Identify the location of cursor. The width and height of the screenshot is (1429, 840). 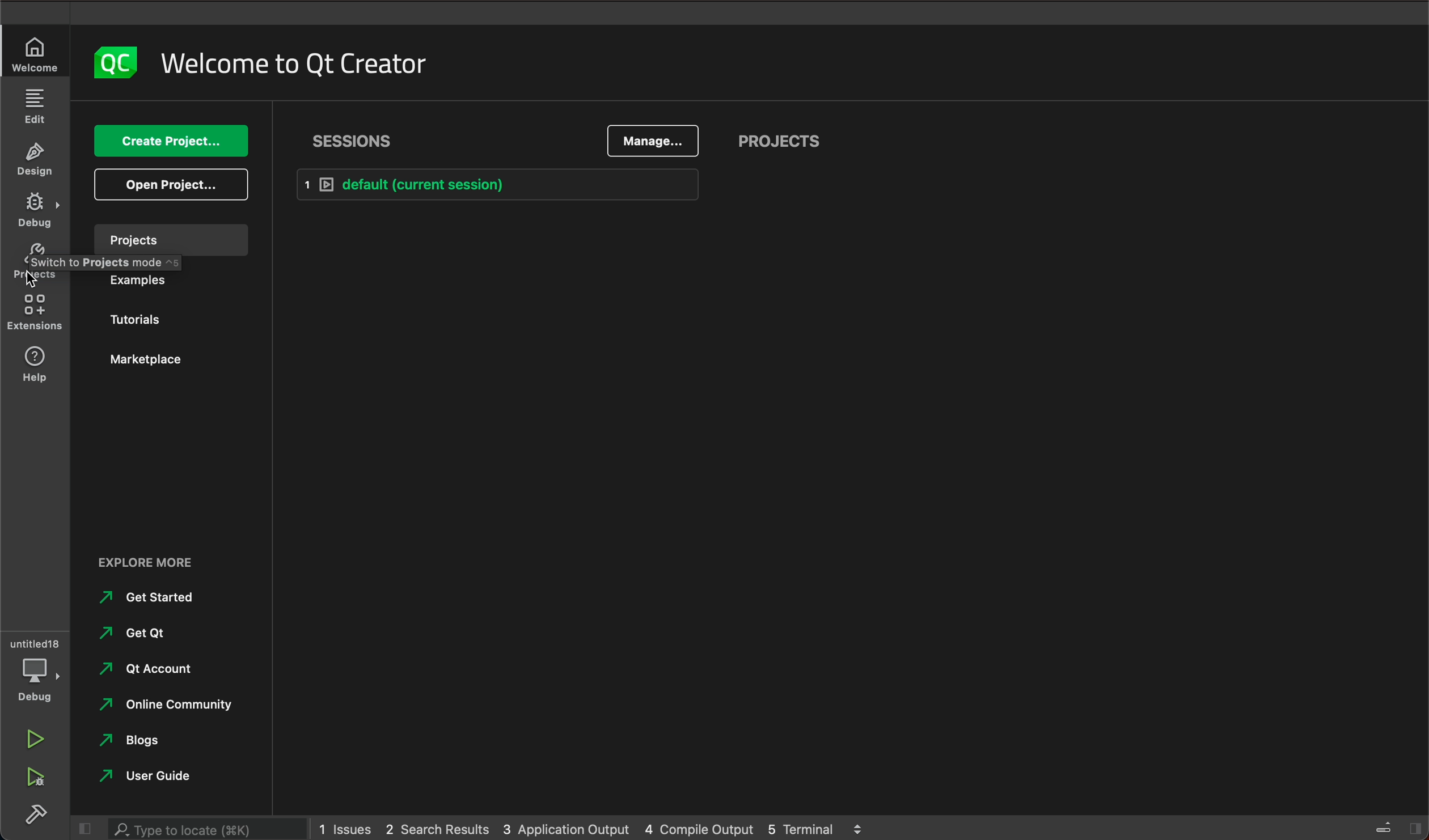
(32, 286).